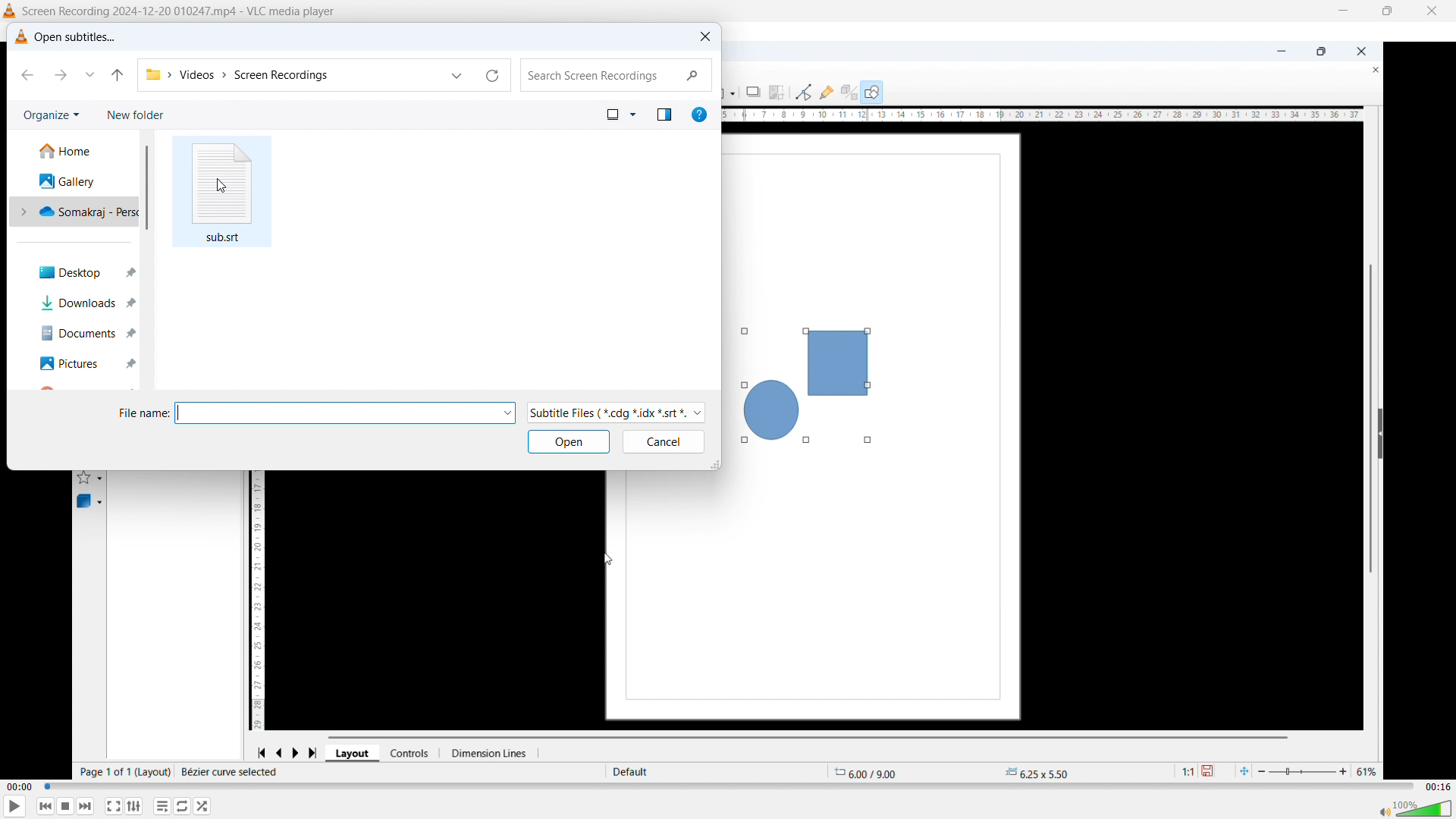  Describe the element at coordinates (152, 73) in the screenshot. I see `folder` at that location.